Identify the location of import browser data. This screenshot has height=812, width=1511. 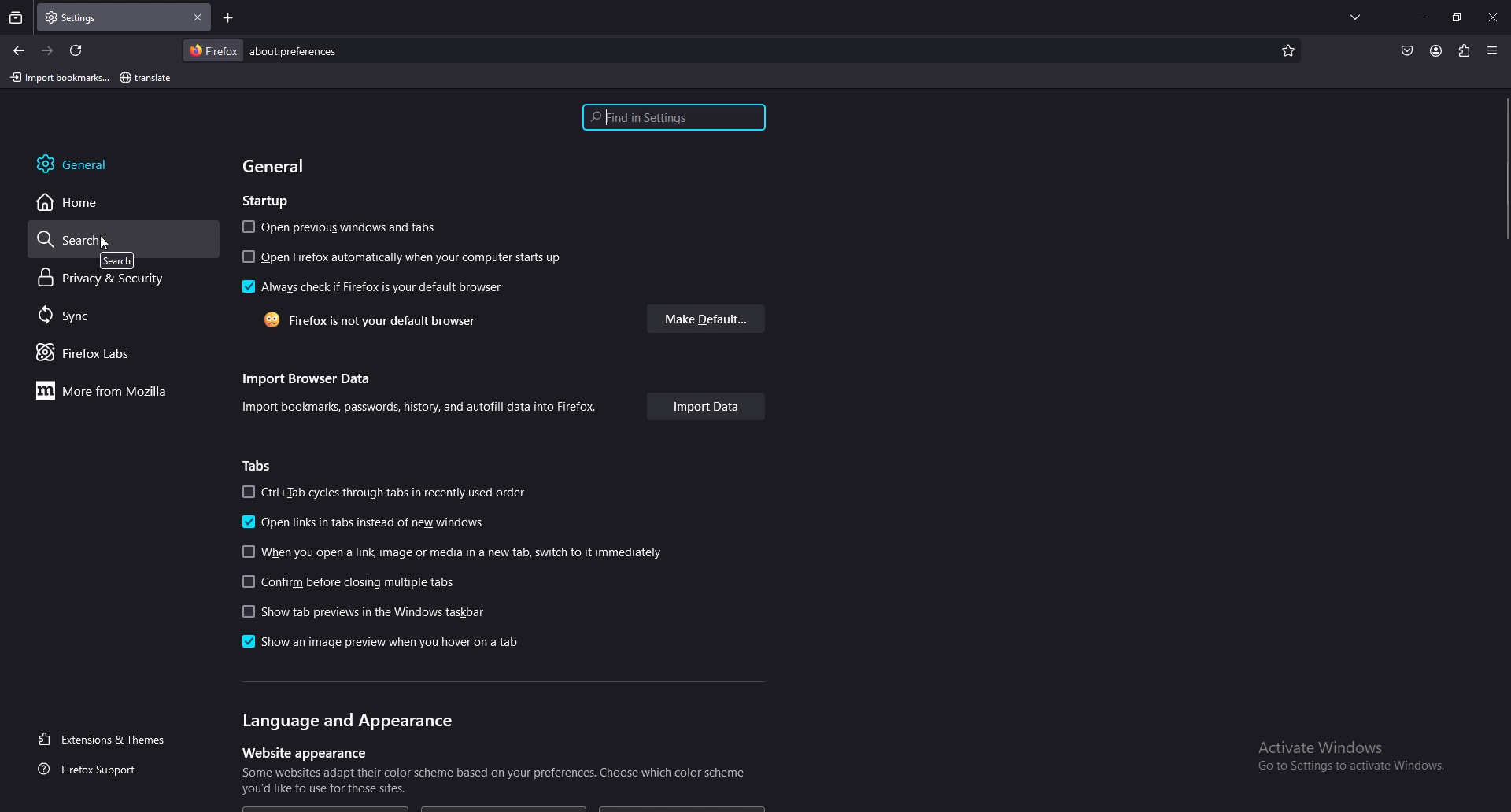
(312, 377).